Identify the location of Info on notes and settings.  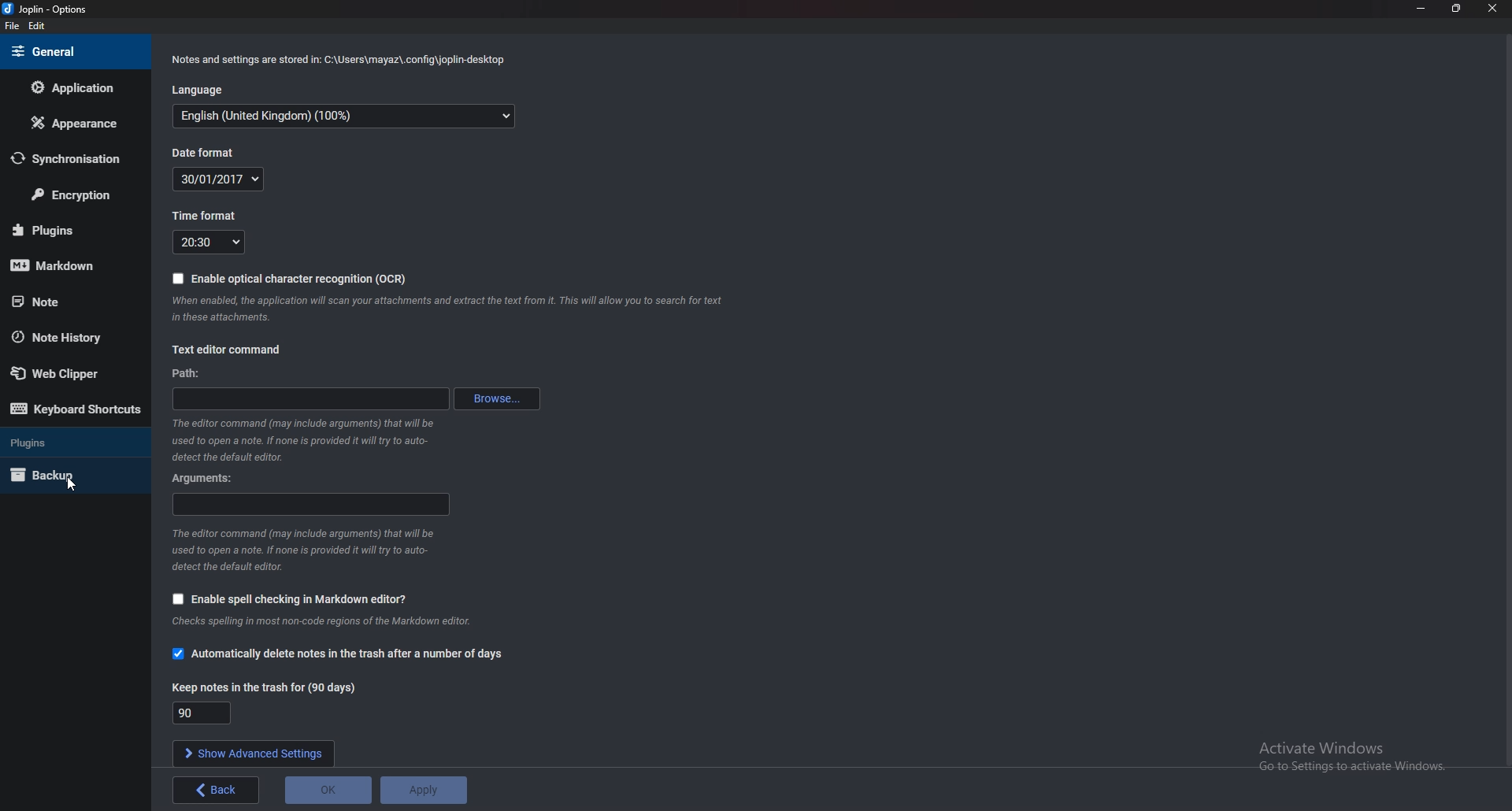
(341, 58).